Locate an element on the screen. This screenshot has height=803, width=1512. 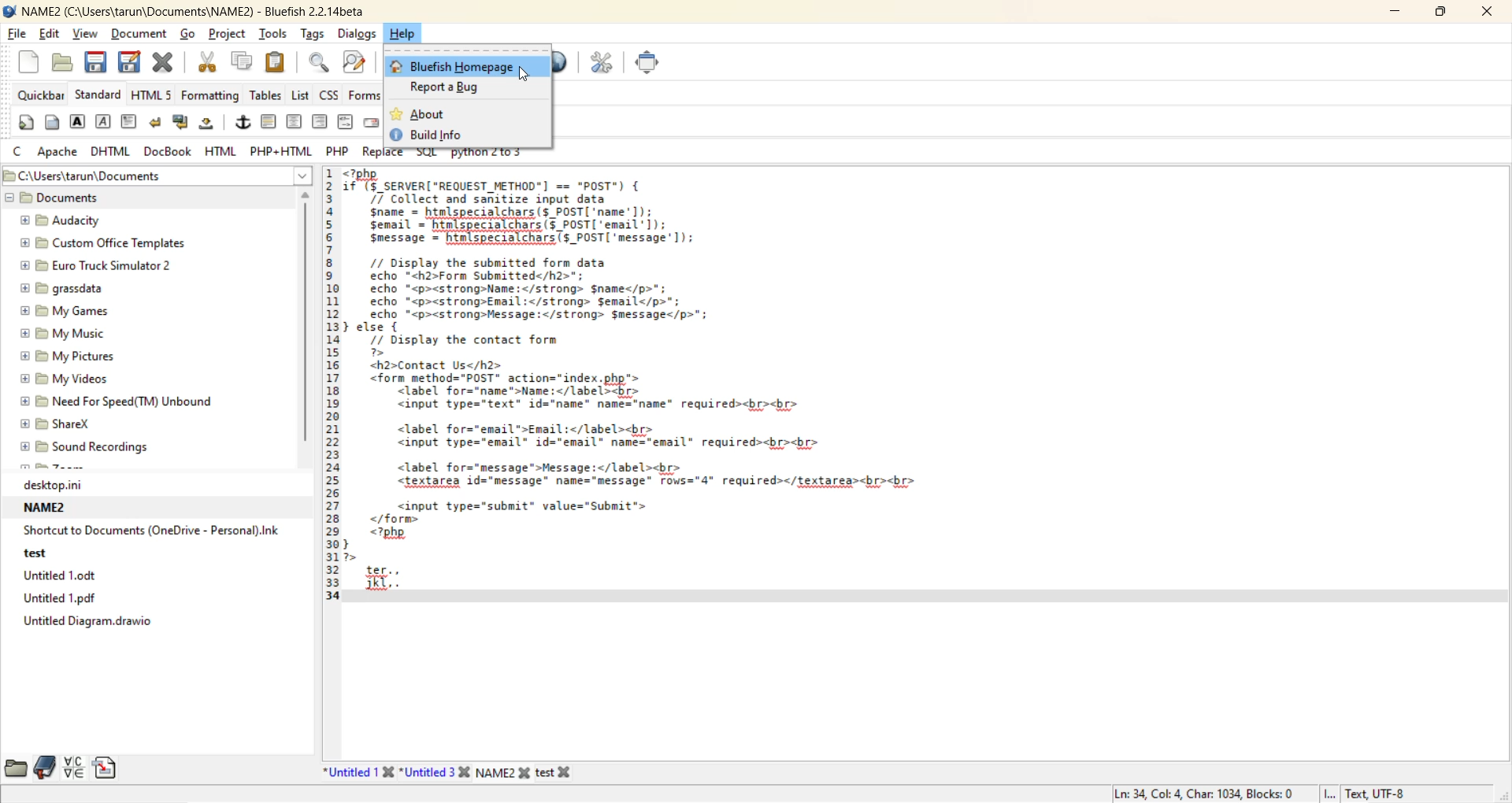
c is located at coordinates (19, 149).